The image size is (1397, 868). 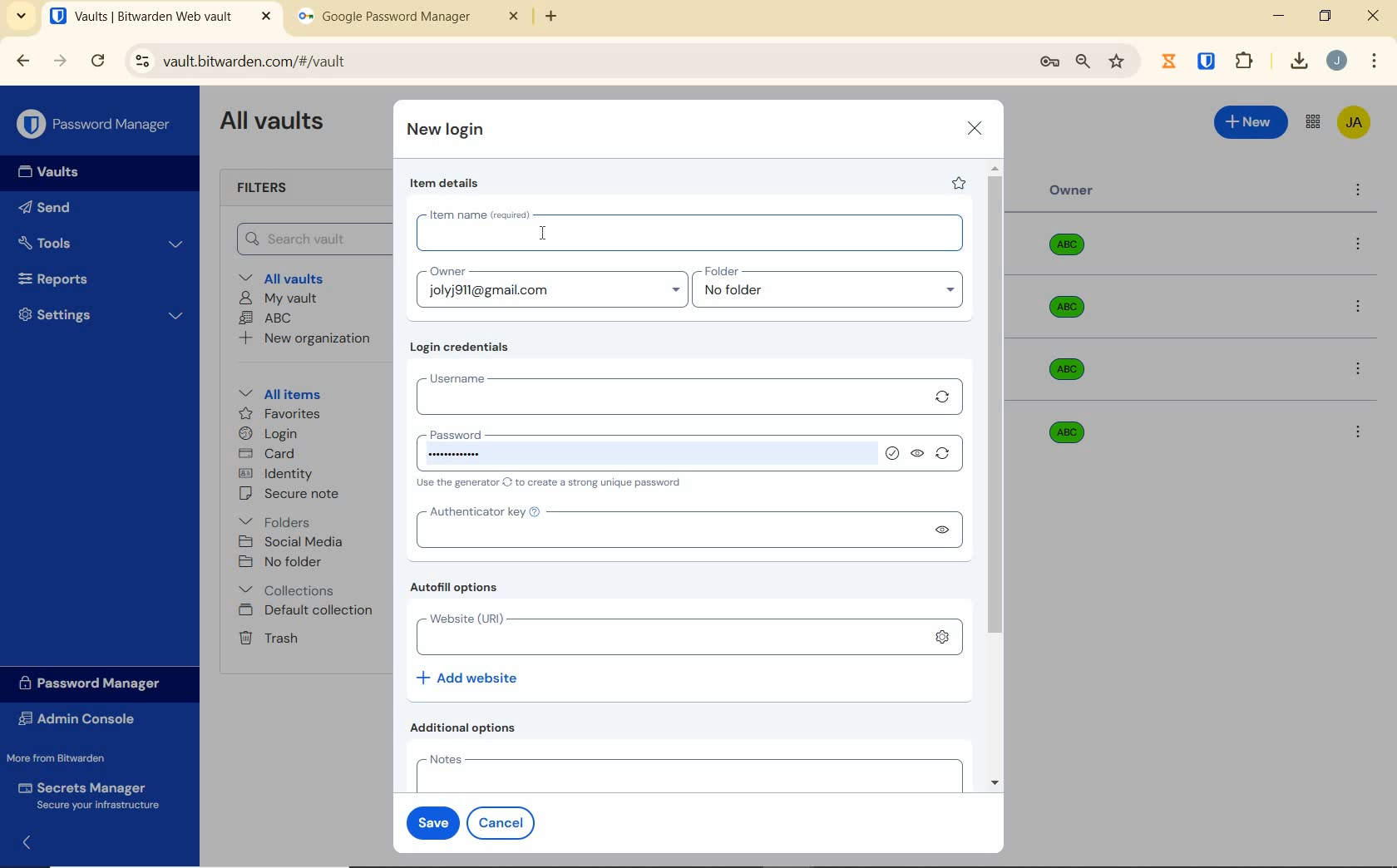 What do you see at coordinates (504, 822) in the screenshot?
I see `cancel` at bounding box center [504, 822].